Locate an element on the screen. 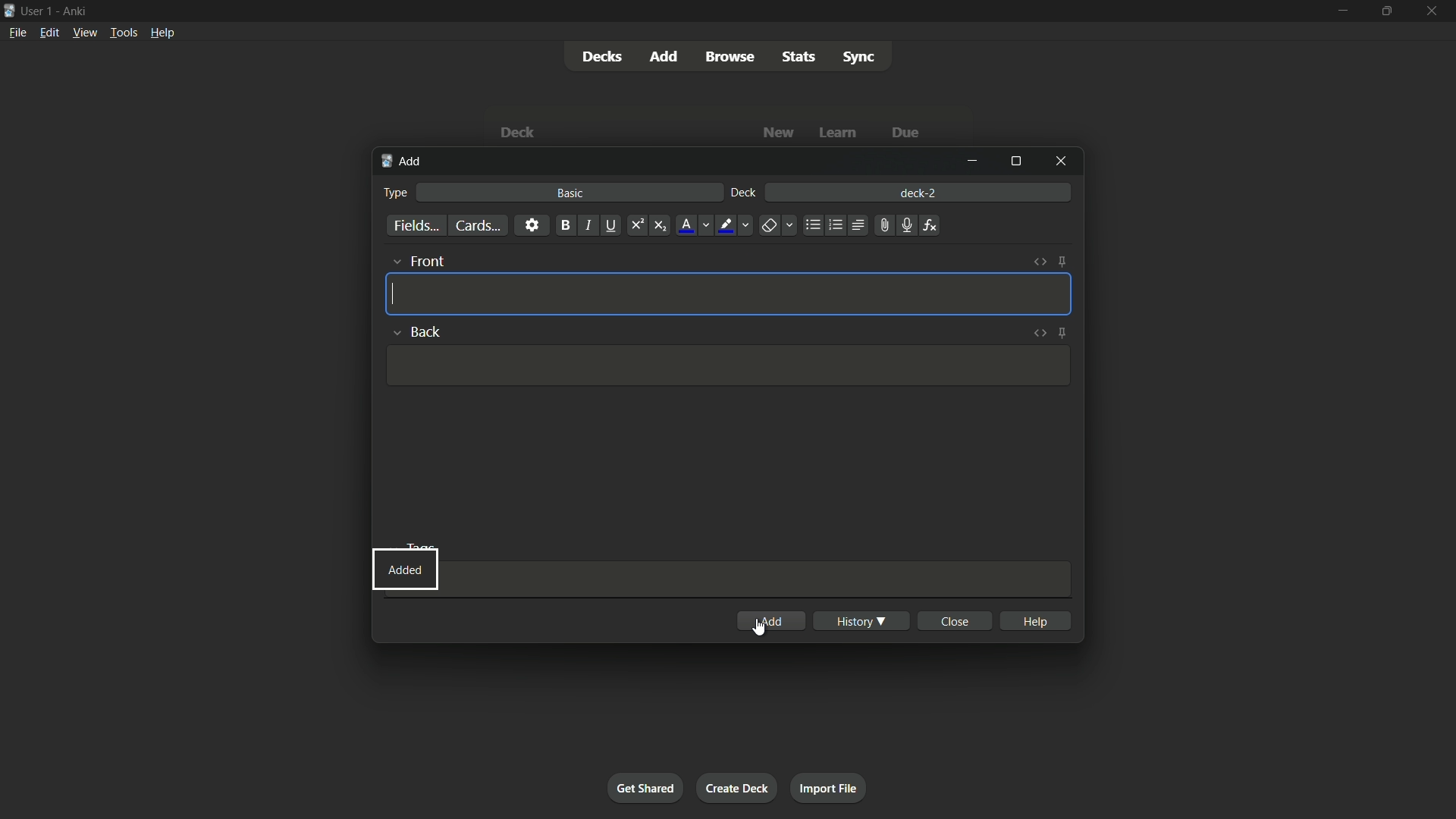 This screenshot has height=819, width=1456. app name is located at coordinates (75, 11).